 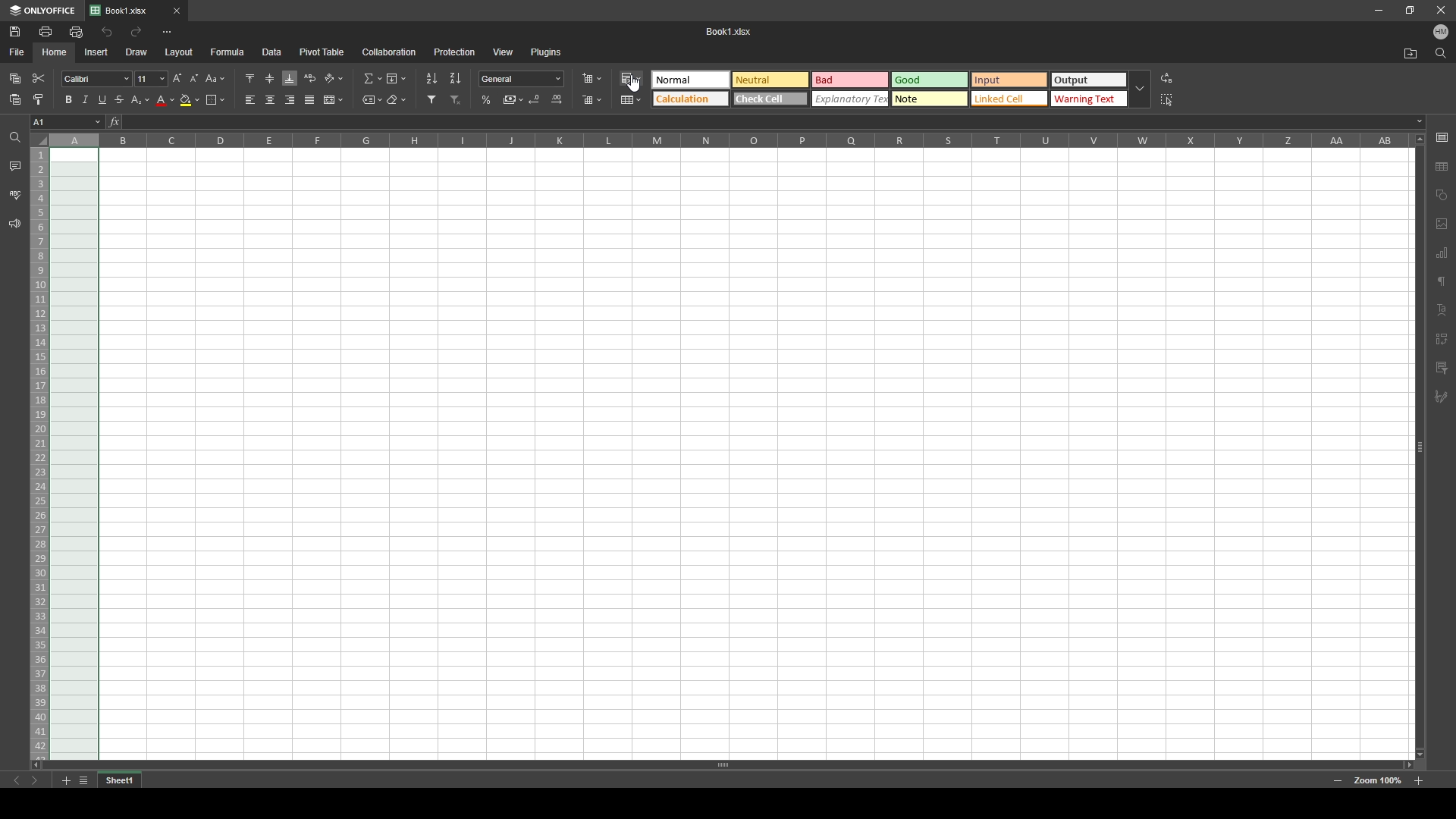 I want to click on increase decimal, so click(x=557, y=99).